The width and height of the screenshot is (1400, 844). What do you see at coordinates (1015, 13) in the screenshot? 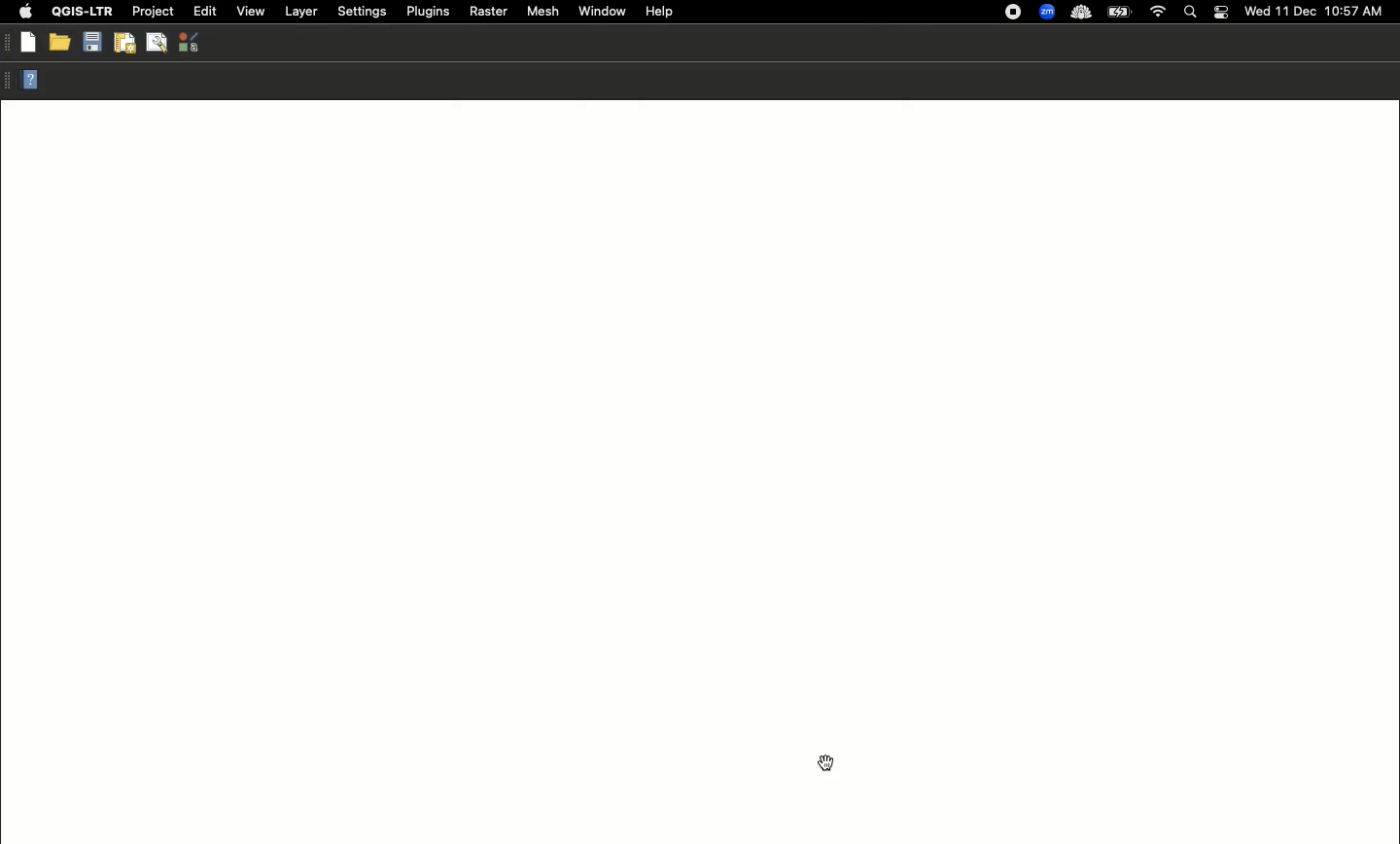
I see `Extension` at bounding box center [1015, 13].